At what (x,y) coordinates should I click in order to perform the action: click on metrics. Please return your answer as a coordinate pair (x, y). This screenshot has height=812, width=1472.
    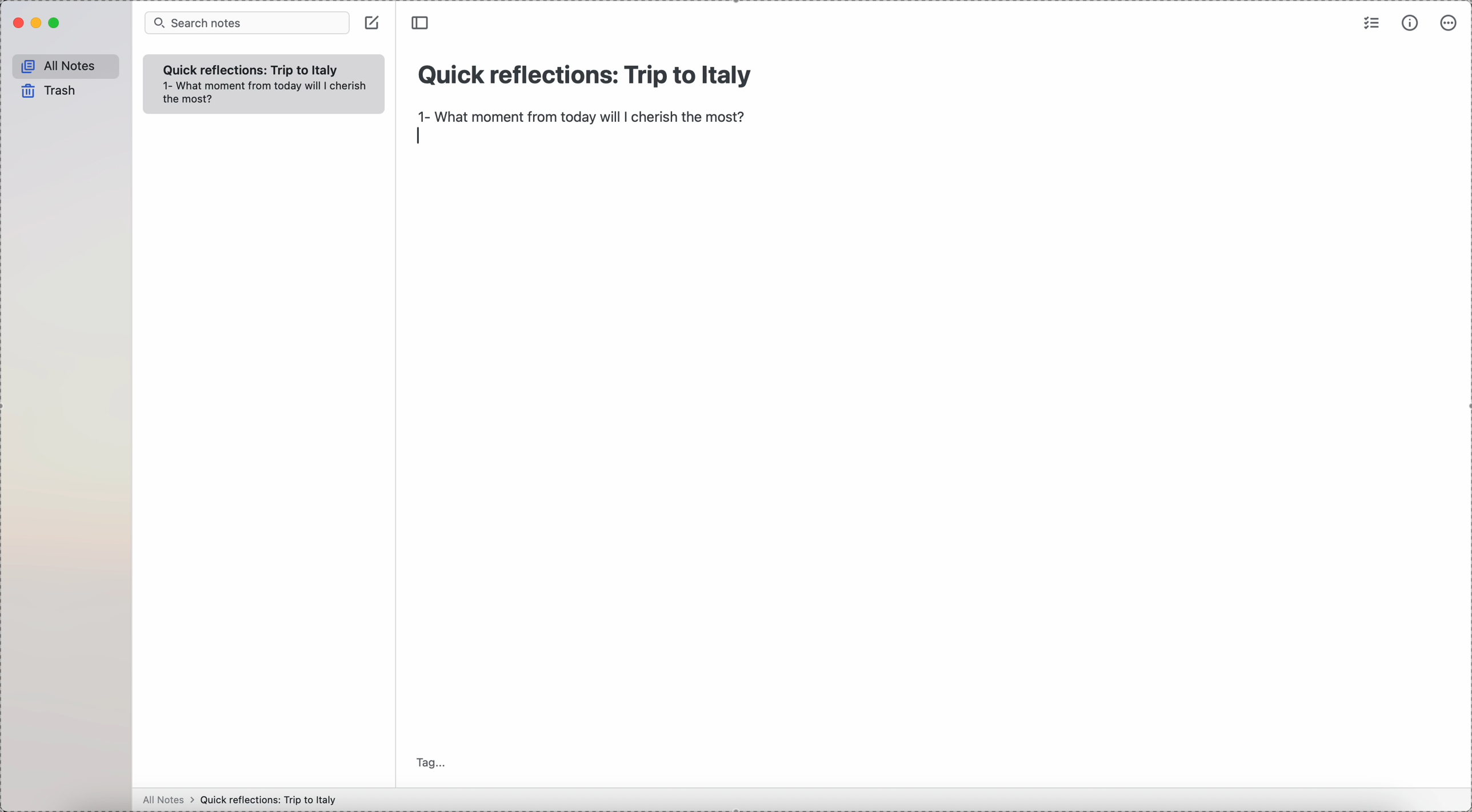
    Looking at the image, I should click on (1411, 22).